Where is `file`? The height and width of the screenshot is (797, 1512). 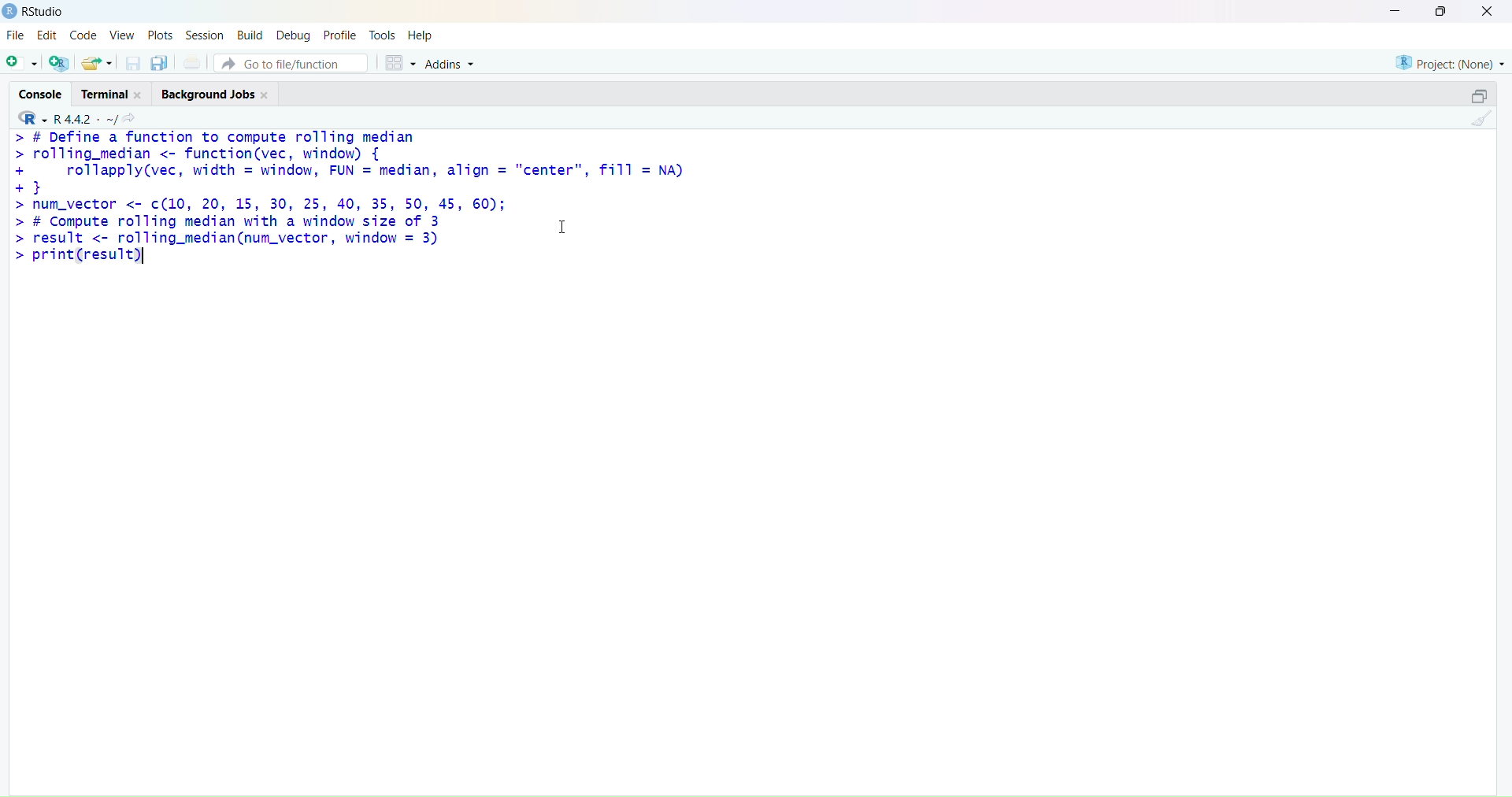 file is located at coordinates (14, 34).